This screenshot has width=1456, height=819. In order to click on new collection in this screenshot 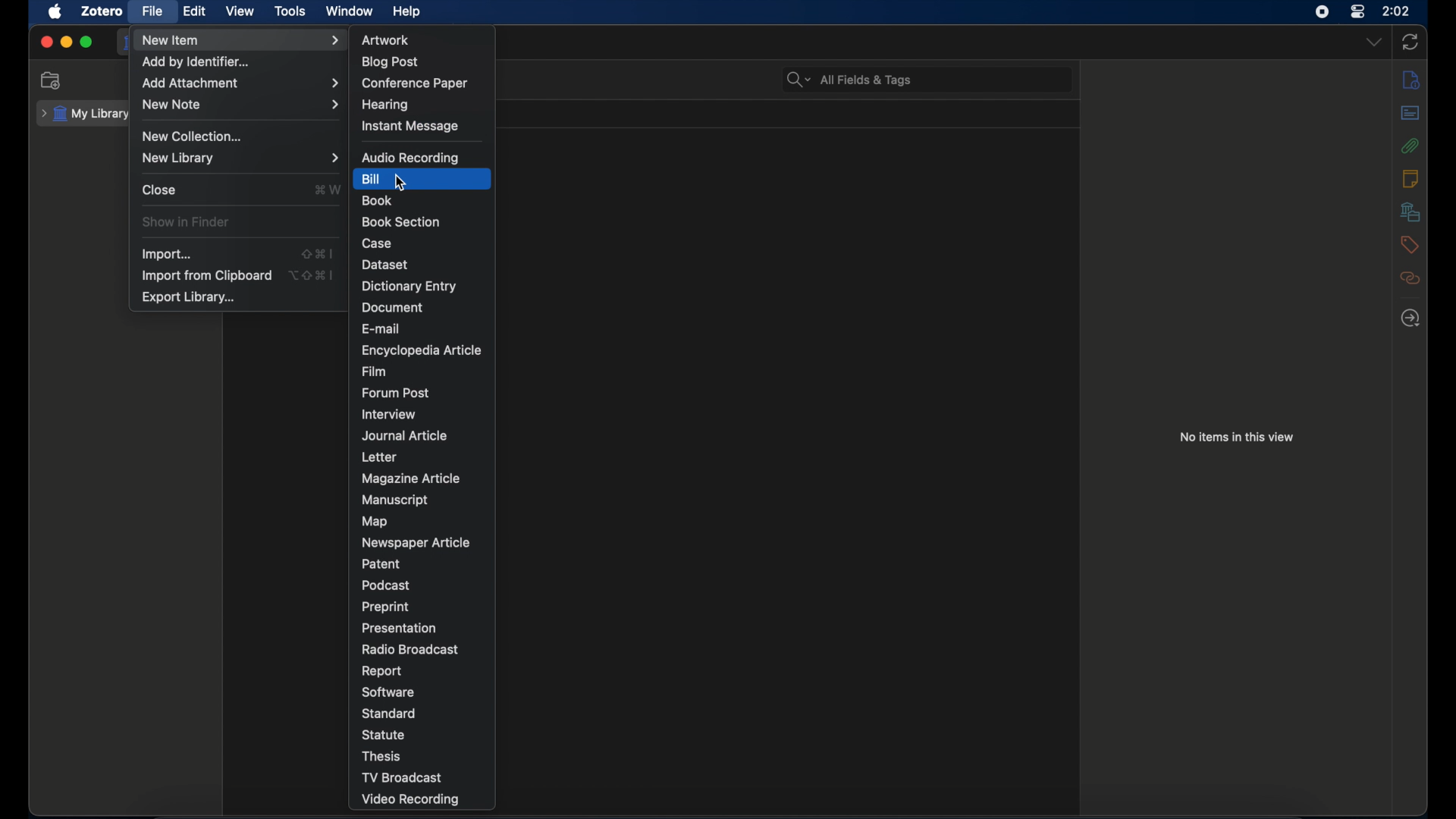, I will do `click(53, 80)`.